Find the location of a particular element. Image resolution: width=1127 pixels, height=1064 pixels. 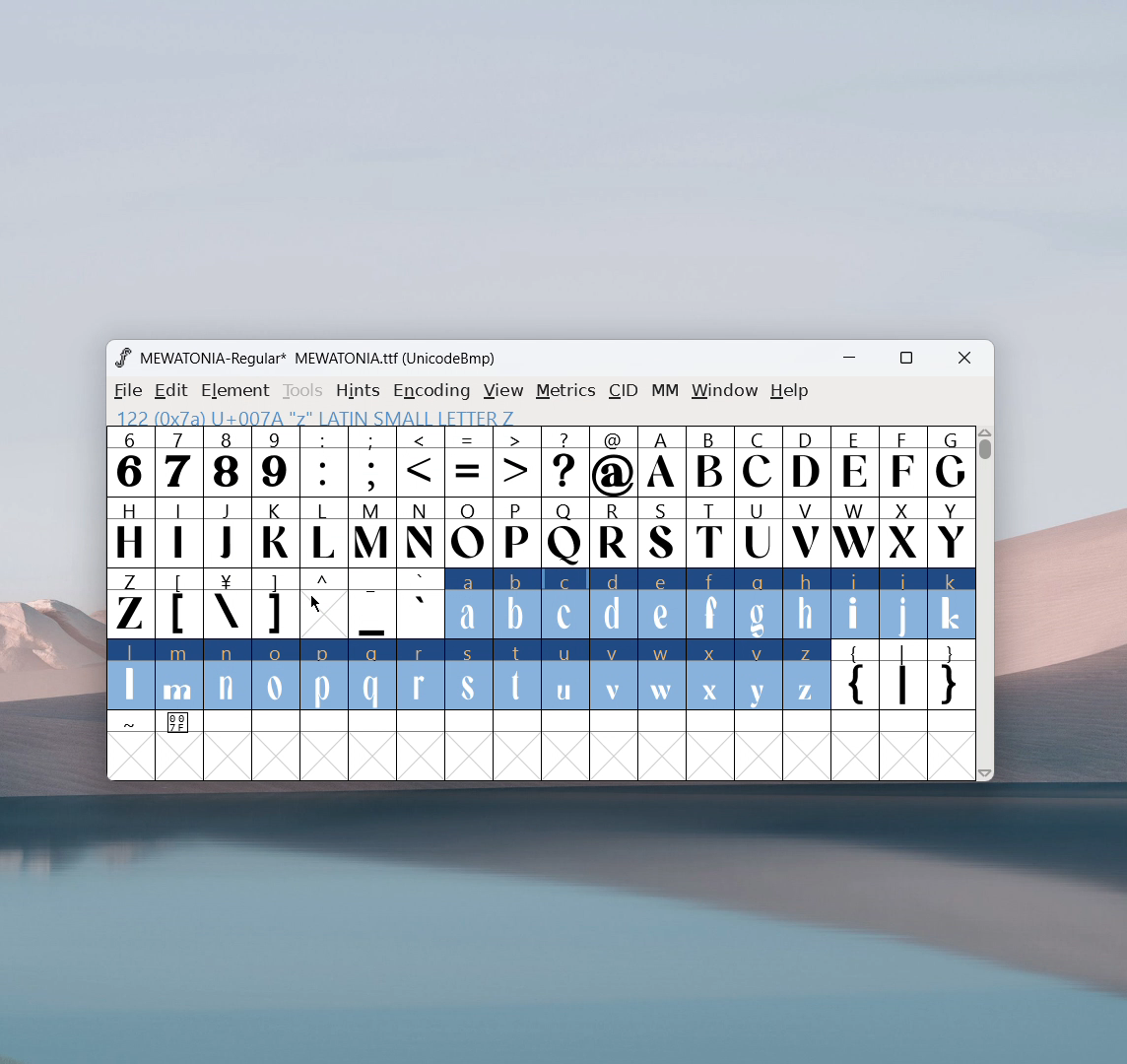

H is located at coordinates (129, 530).